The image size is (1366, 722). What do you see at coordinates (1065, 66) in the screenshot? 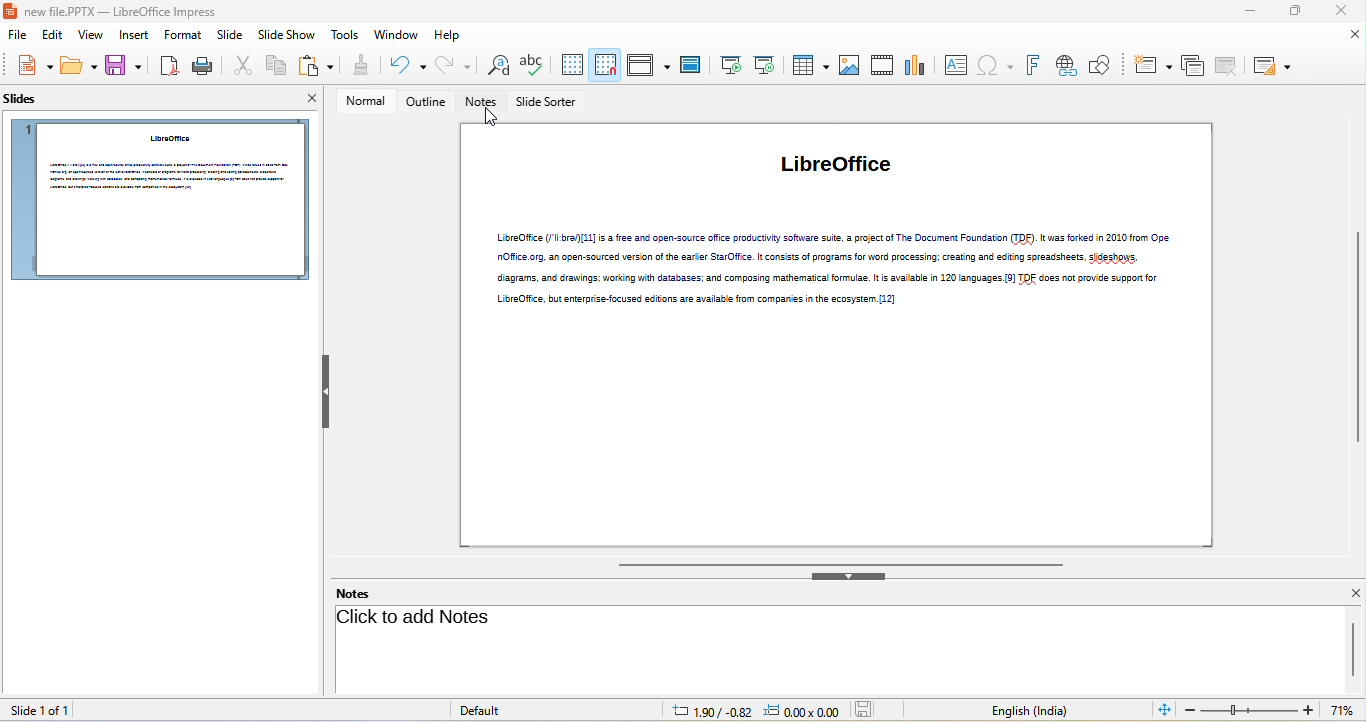
I see `hyperlink` at bounding box center [1065, 66].